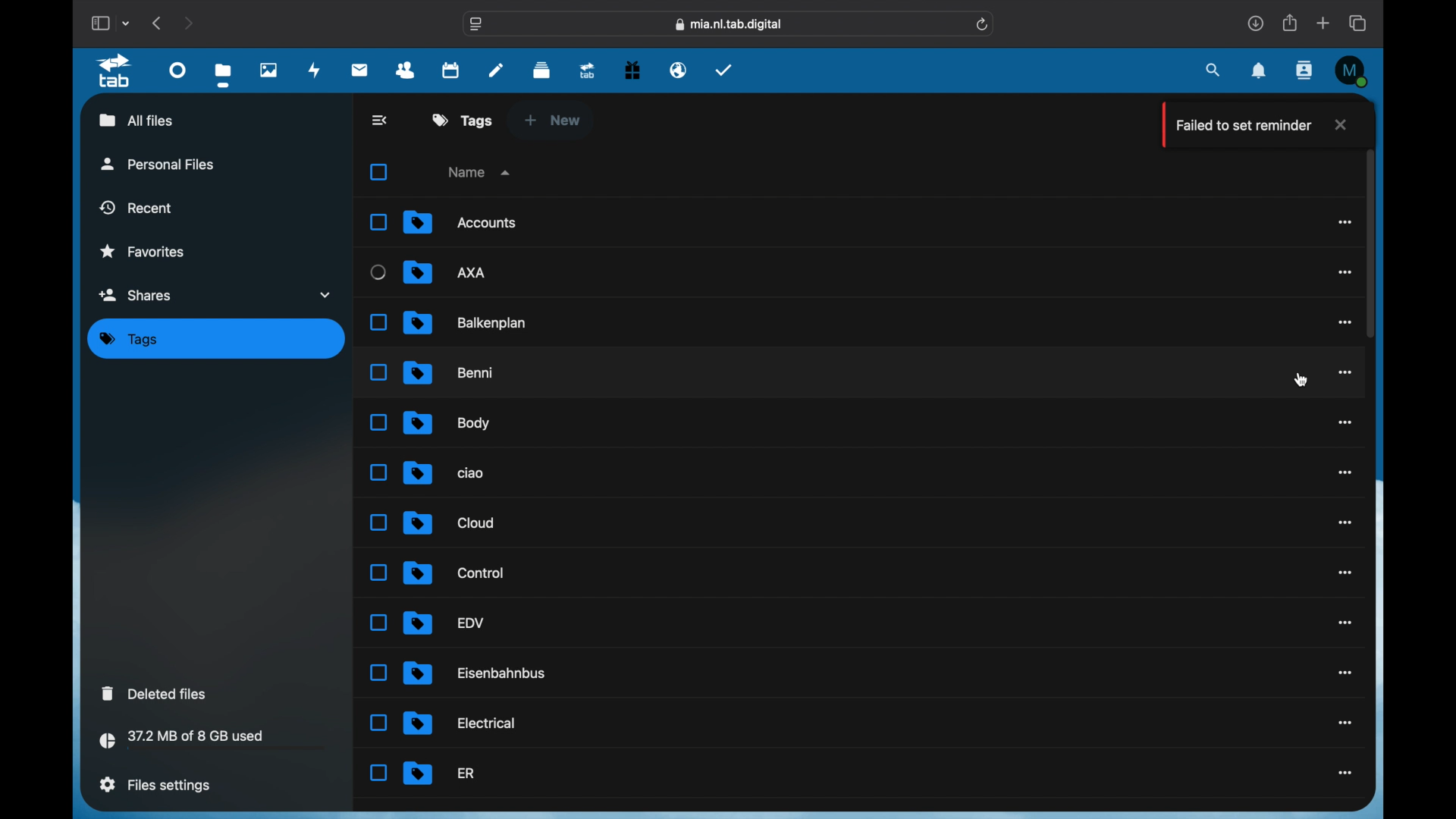  I want to click on files settings, so click(155, 784).